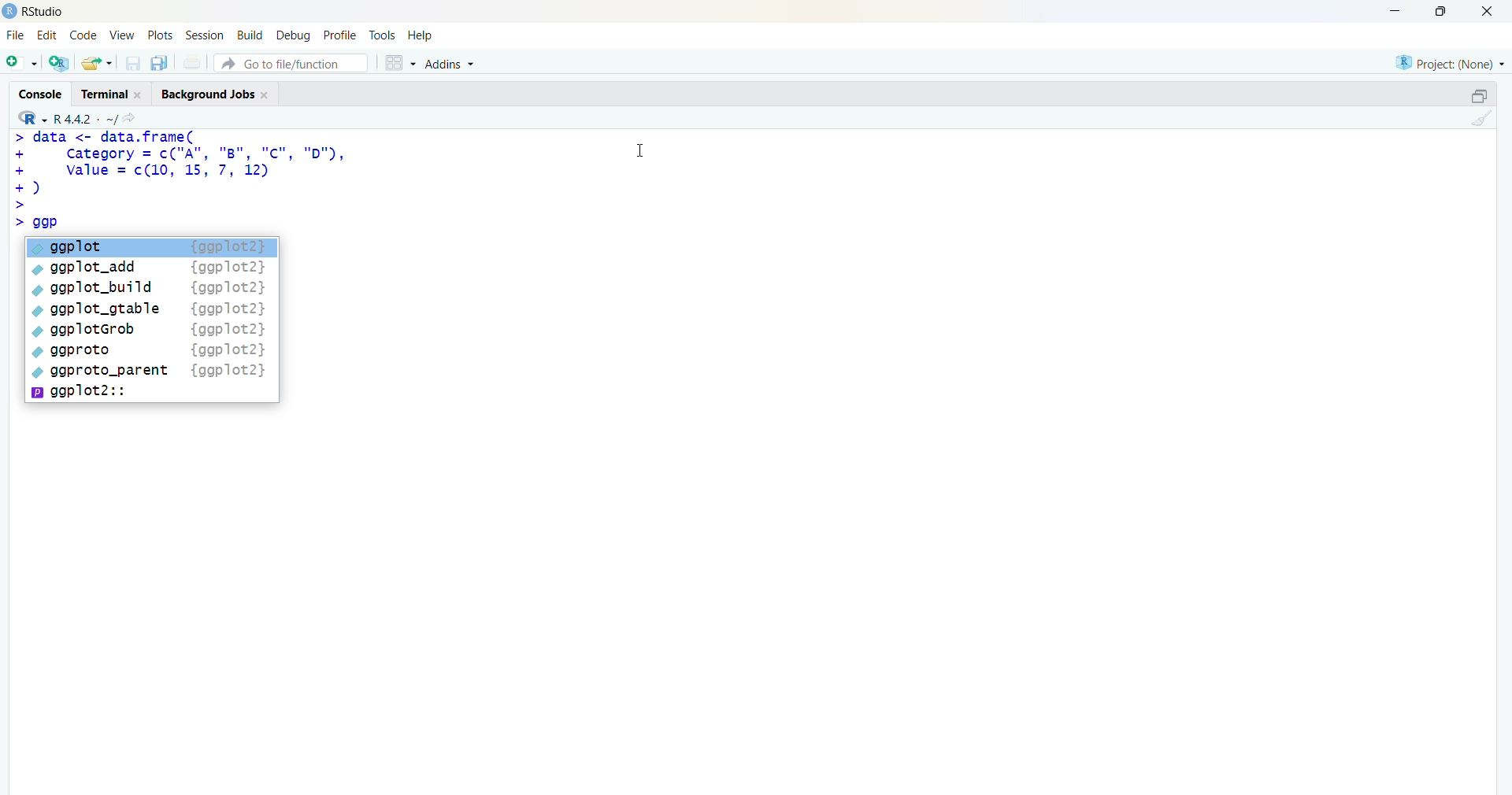 This screenshot has width=1512, height=795. What do you see at coordinates (133, 118) in the screenshot?
I see `go to directiory` at bounding box center [133, 118].